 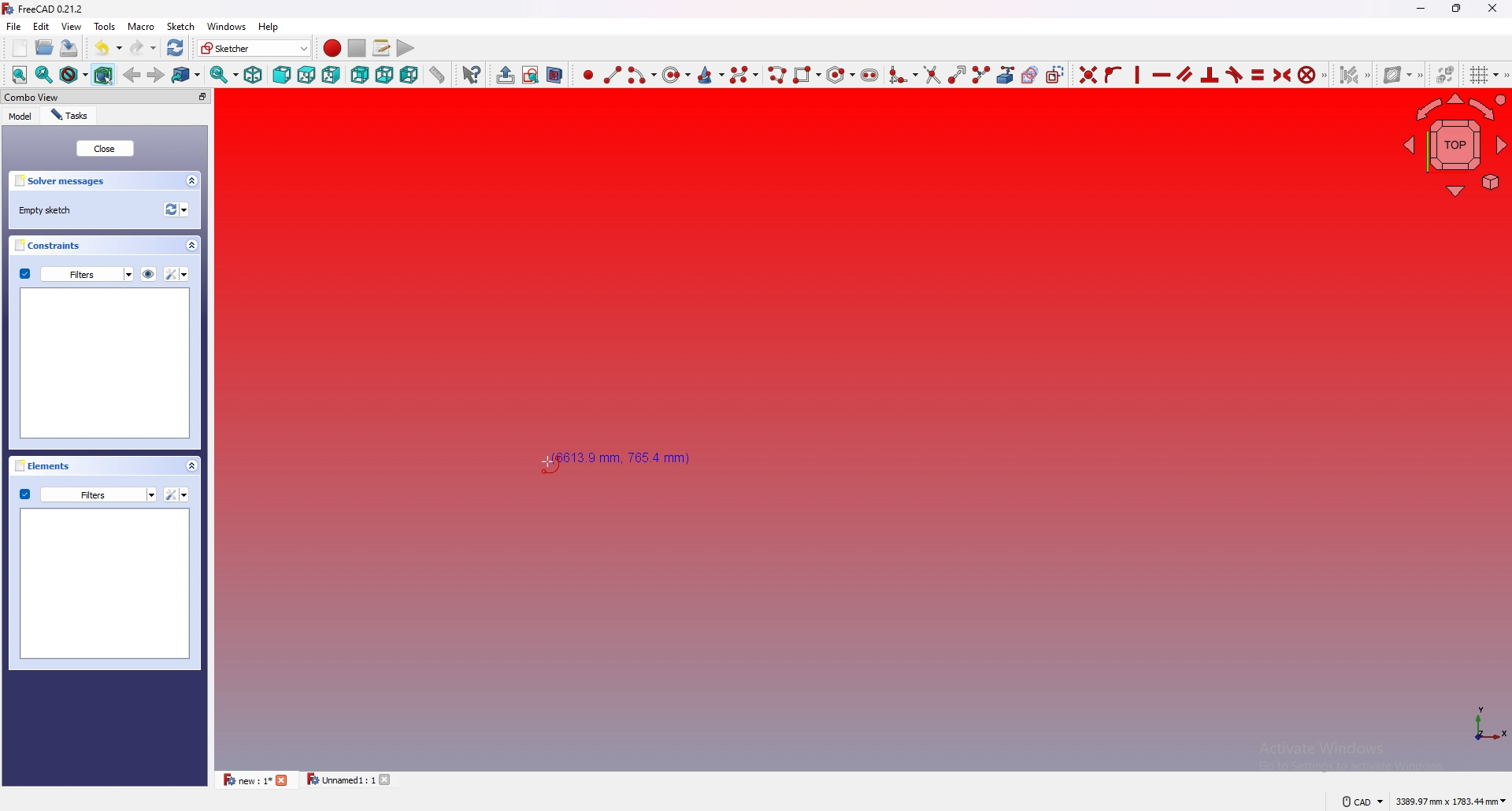 I want to click on create fillet, so click(x=903, y=75).